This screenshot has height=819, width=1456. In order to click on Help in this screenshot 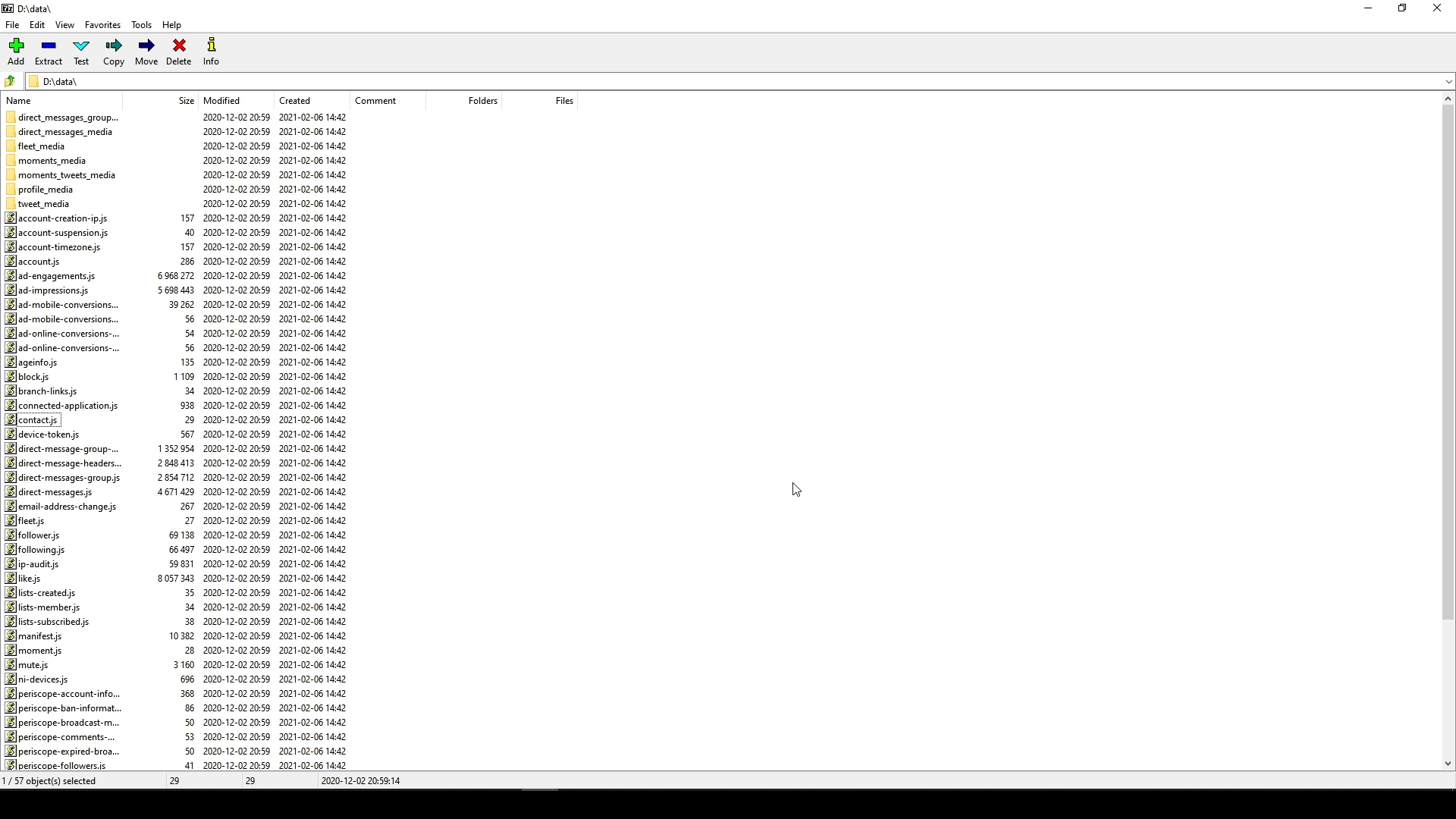, I will do `click(175, 27)`.